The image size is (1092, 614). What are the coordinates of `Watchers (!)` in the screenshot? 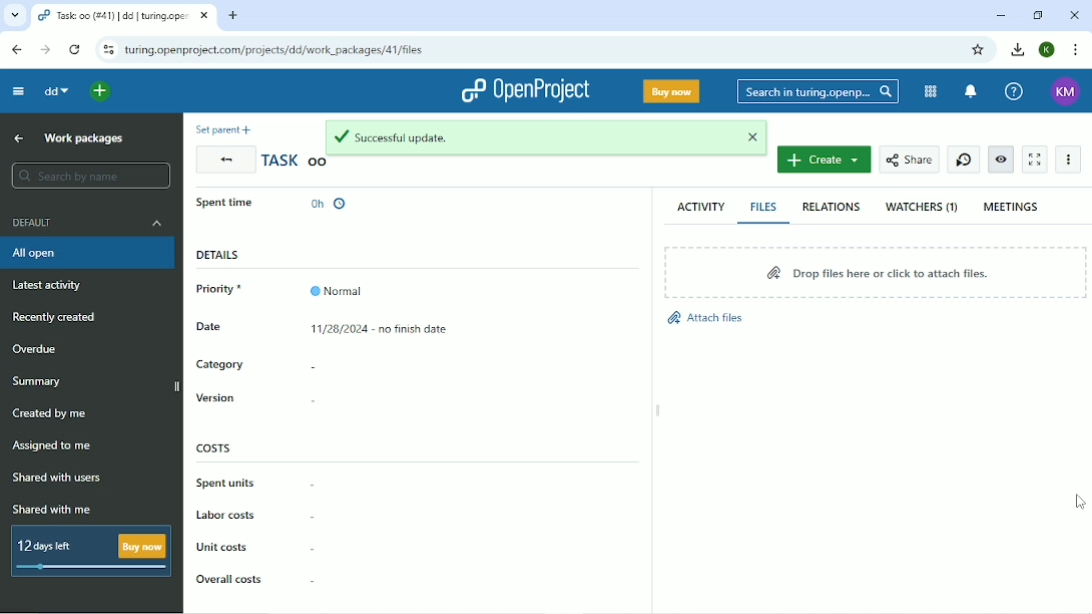 It's located at (922, 208).